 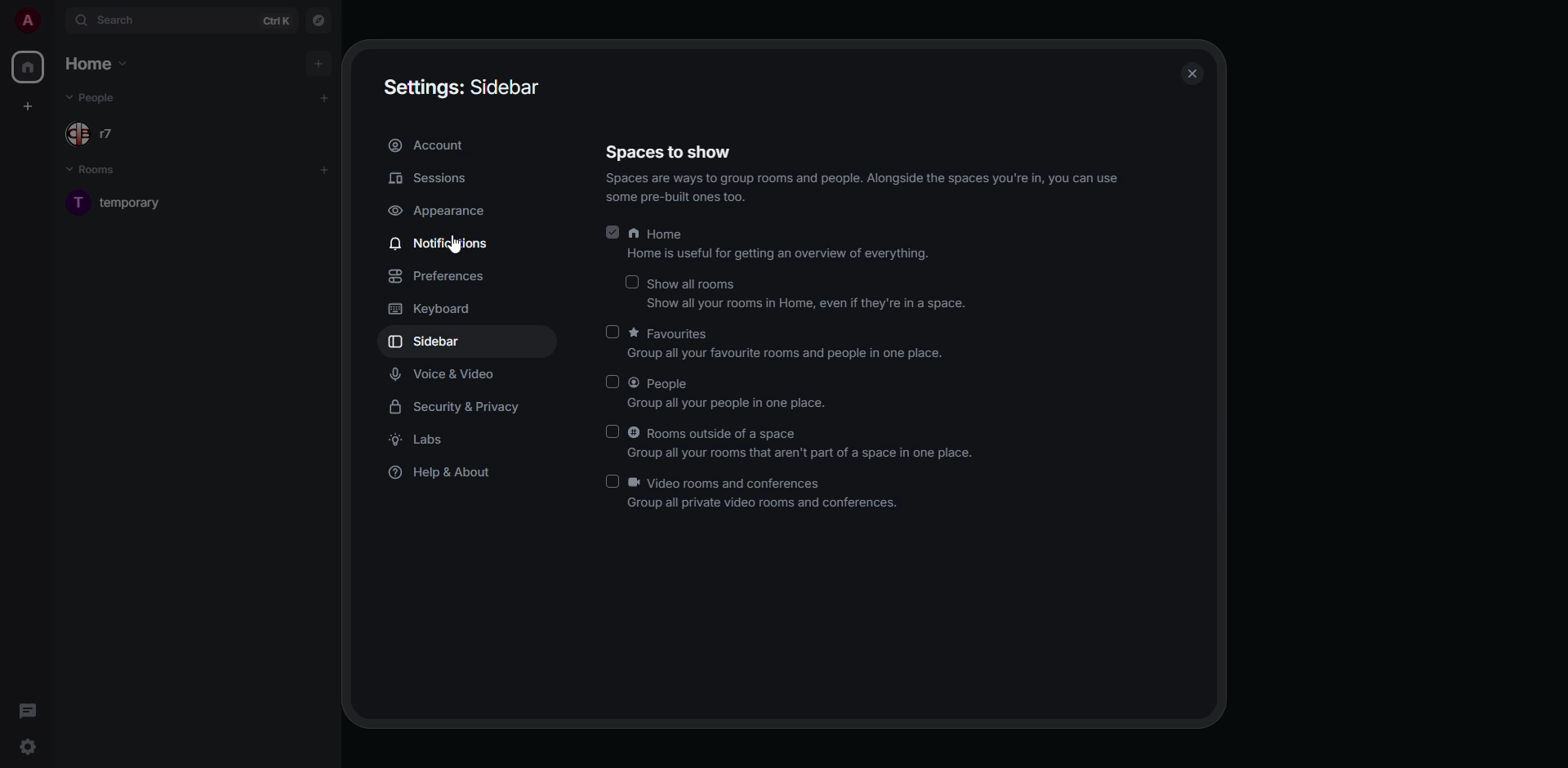 What do you see at coordinates (1194, 71) in the screenshot?
I see `close` at bounding box center [1194, 71].